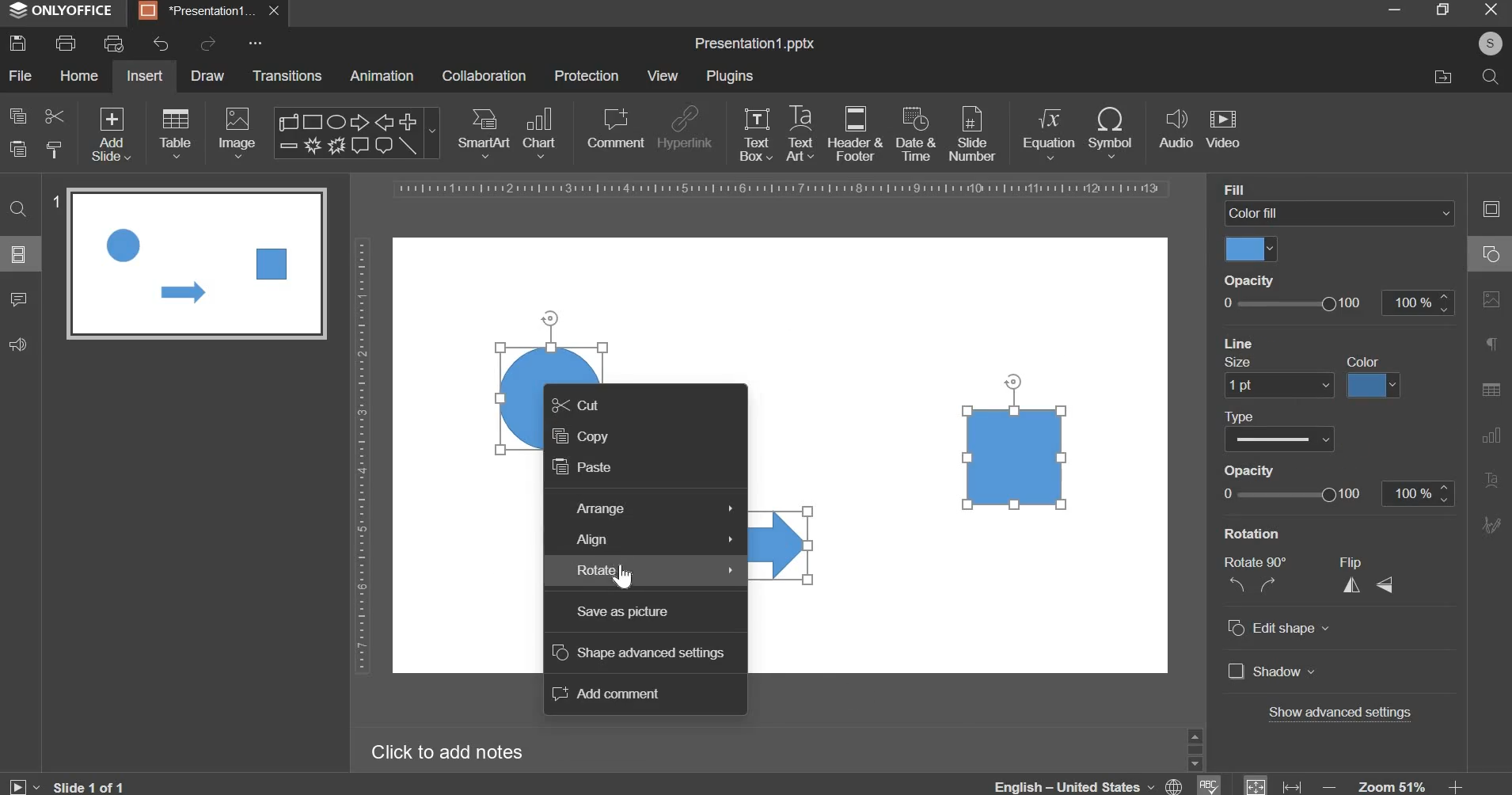 The height and width of the screenshot is (795, 1512). Describe the element at coordinates (196, 263) in the screenshot. I see `slide preview` at that location.